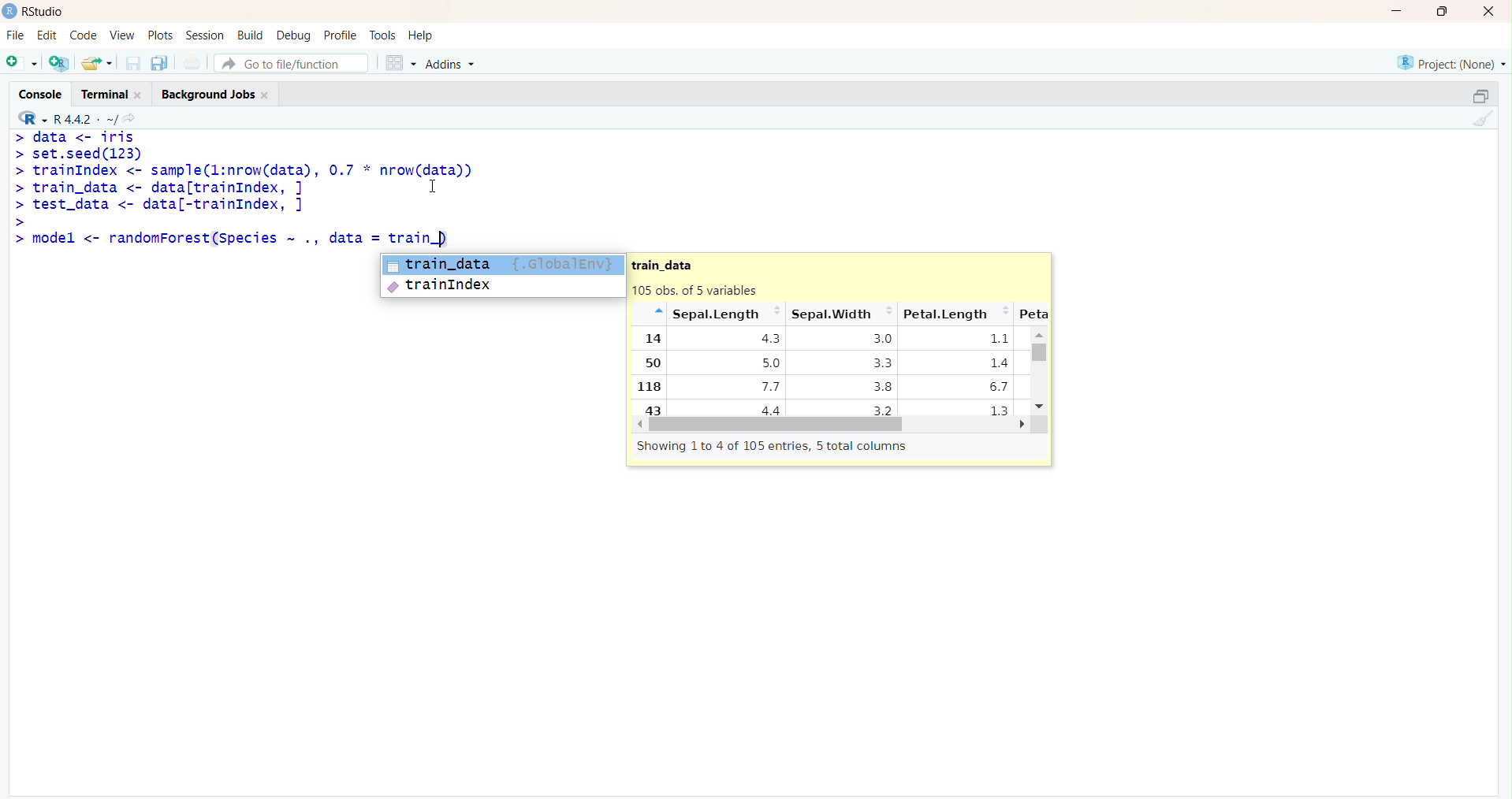  What do you see at coordinates (82, 35) in the screenshot?
I see `Code` at bounding box center [82, 35].